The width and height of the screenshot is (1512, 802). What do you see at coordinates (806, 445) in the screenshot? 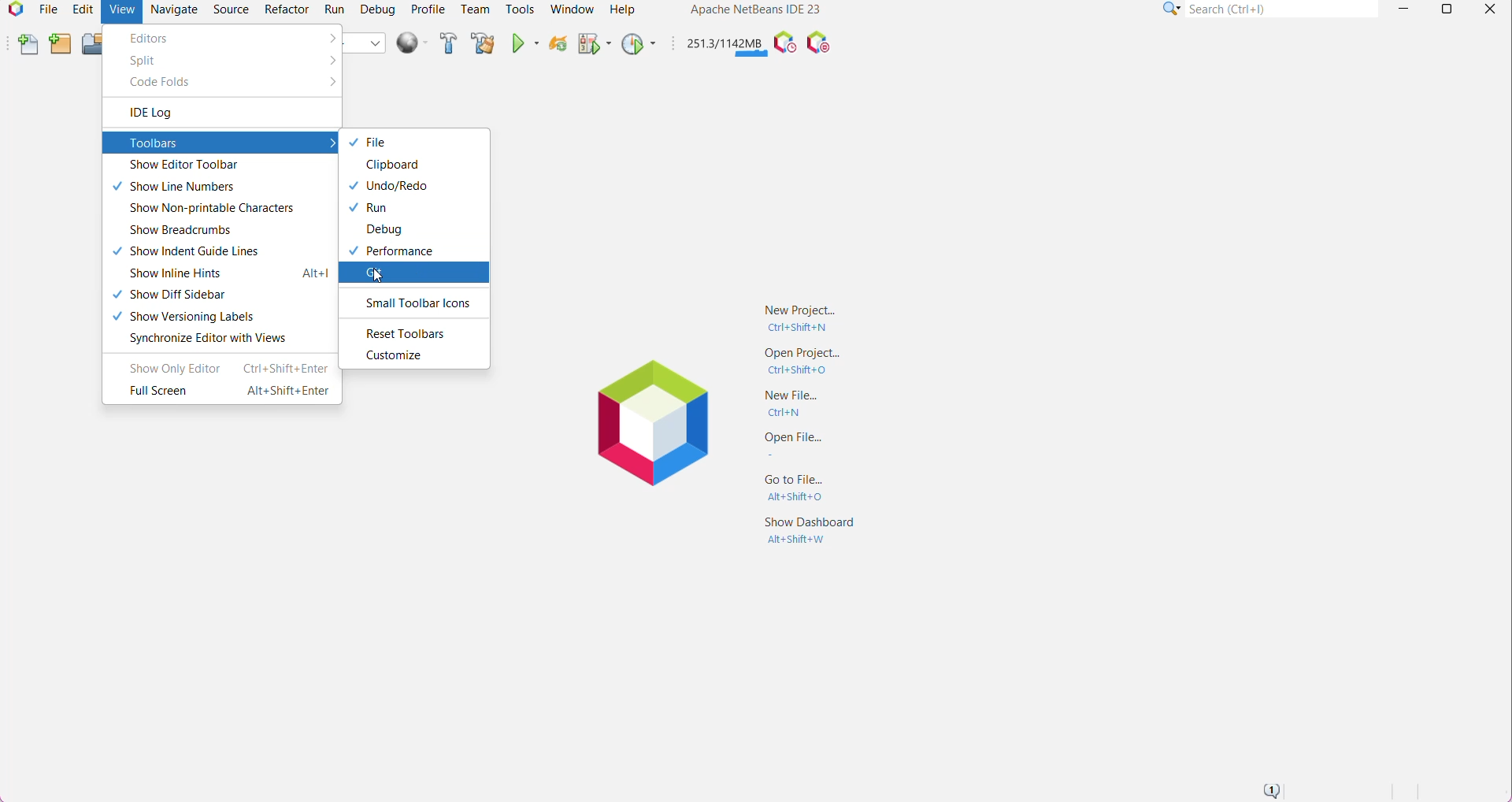
I see `Open File` at bounding box center [806, 445].